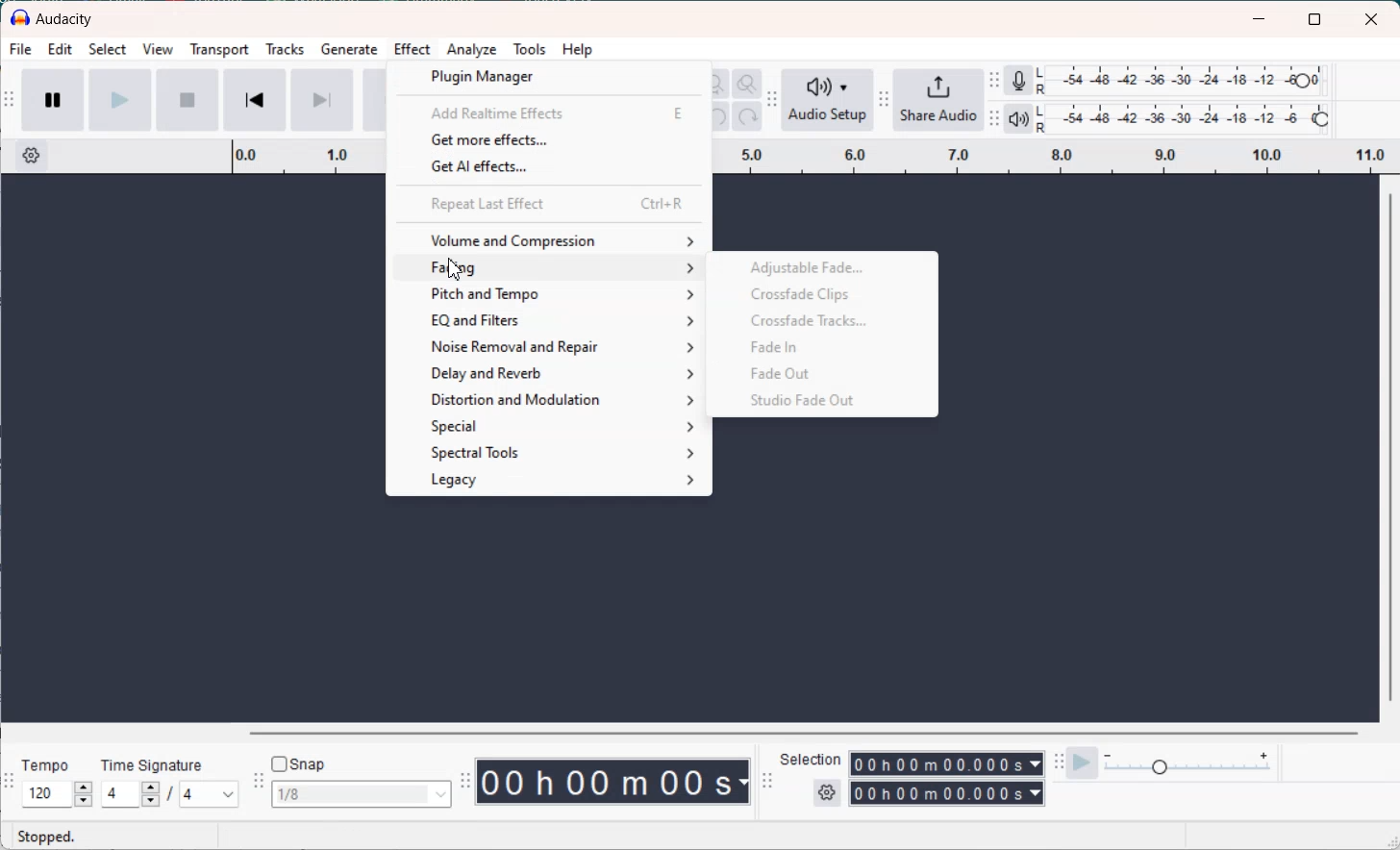 This screenshot has width=1400, height=850. I want to click on Tempo Settings, so click(57, 794).